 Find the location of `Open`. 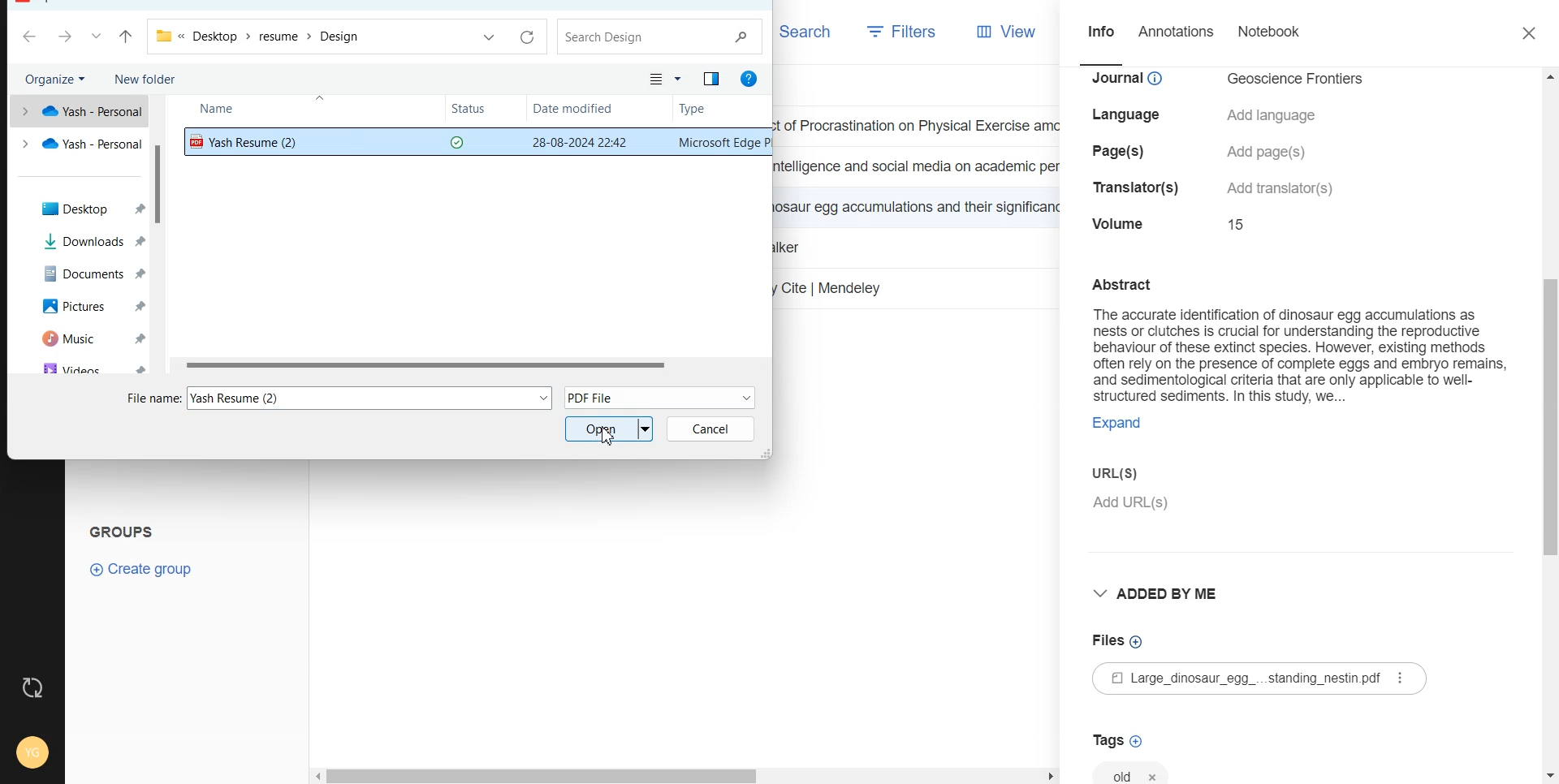

Open is located at coordinates (610, 429).